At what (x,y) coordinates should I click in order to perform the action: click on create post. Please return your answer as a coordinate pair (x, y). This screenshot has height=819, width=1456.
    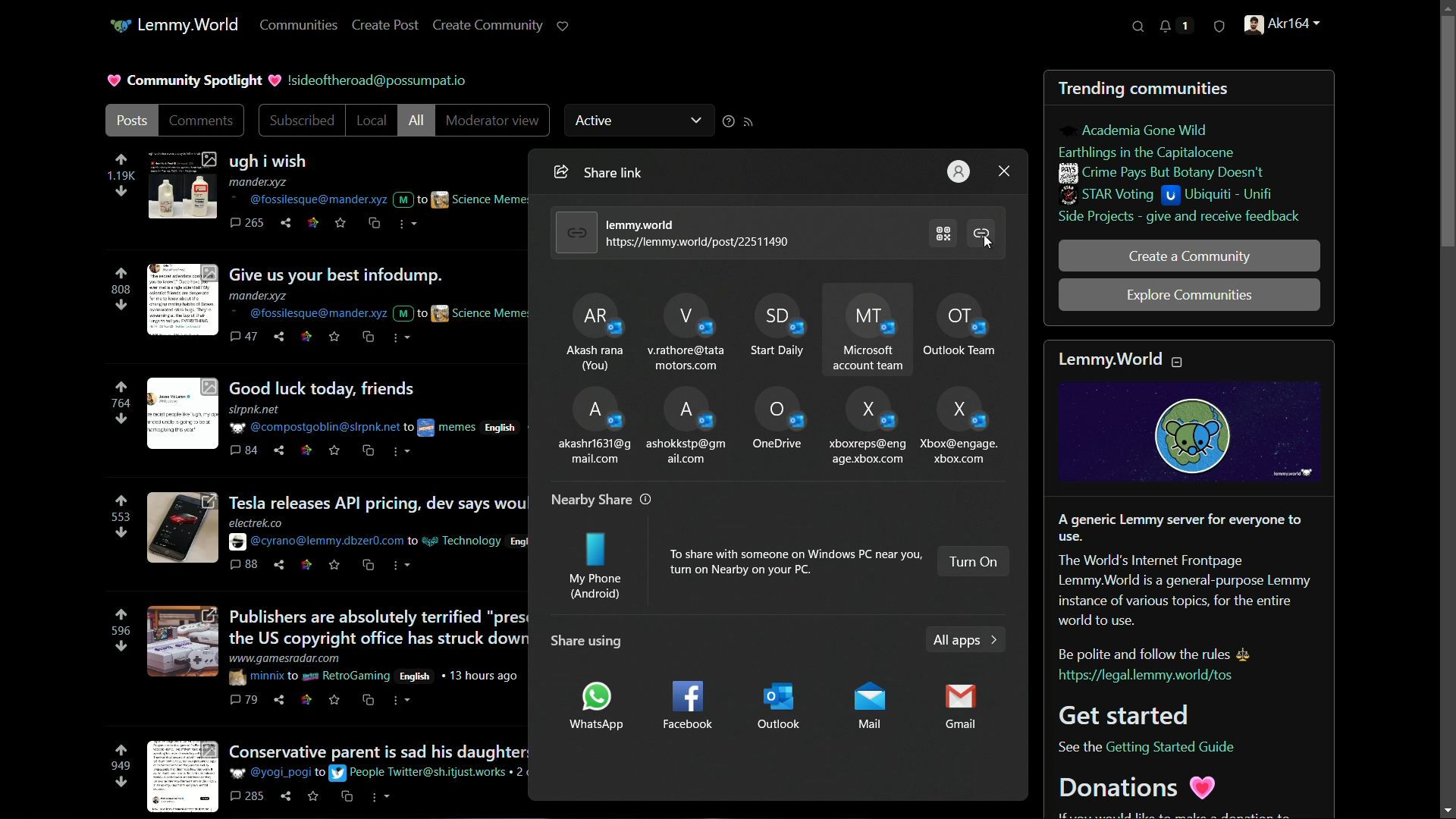
    Looking at the image, I should click on (388, 24).